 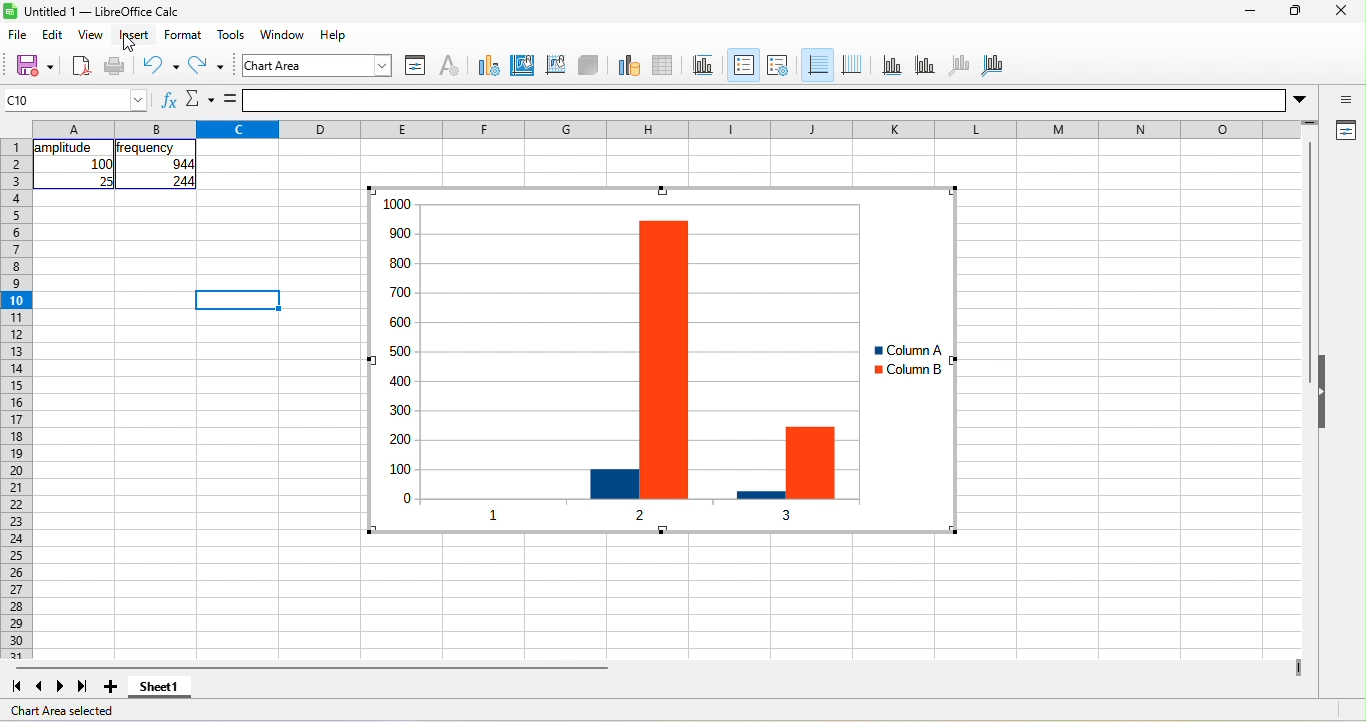 I want to click on horizontal grids, so click(x=816, y=66).